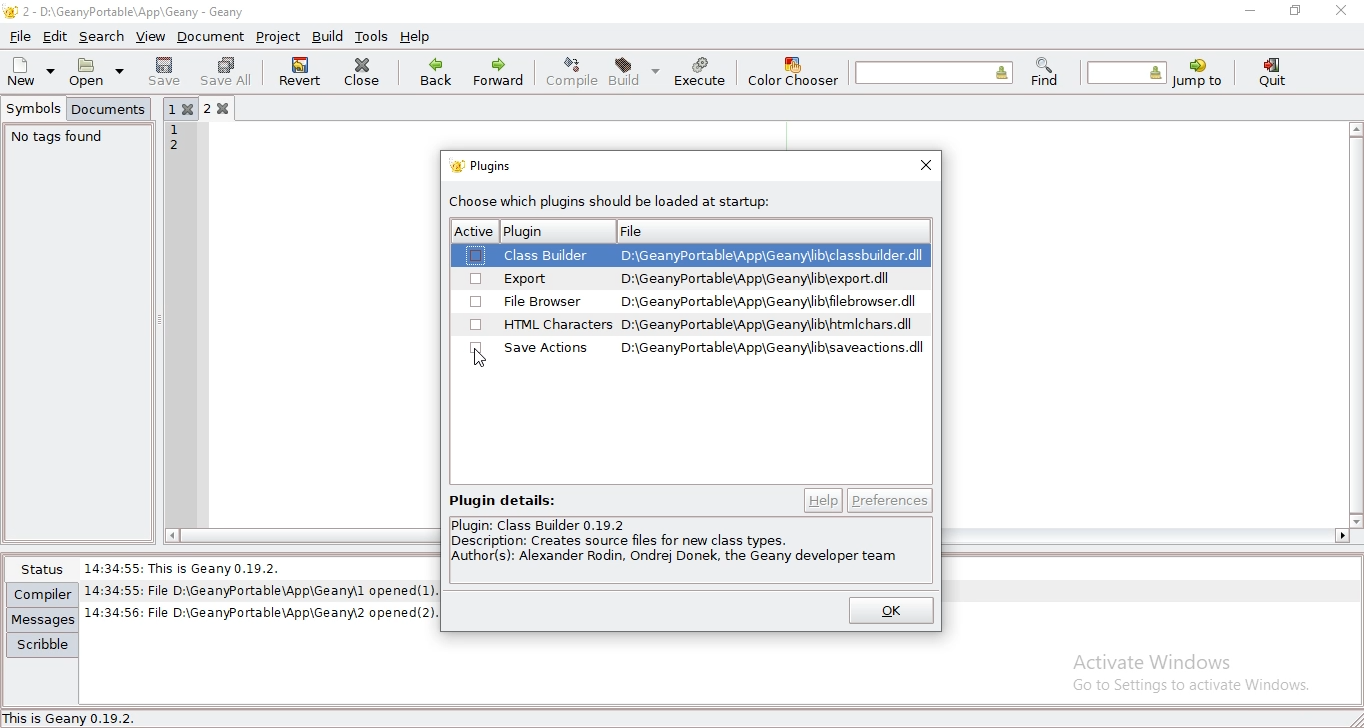 This screenshot has width=1364, height=728. What do you see at coordinates (1187, 688) in the screenshot?
I see `go to settings to activate windows` at bounding box center [1187, 688].